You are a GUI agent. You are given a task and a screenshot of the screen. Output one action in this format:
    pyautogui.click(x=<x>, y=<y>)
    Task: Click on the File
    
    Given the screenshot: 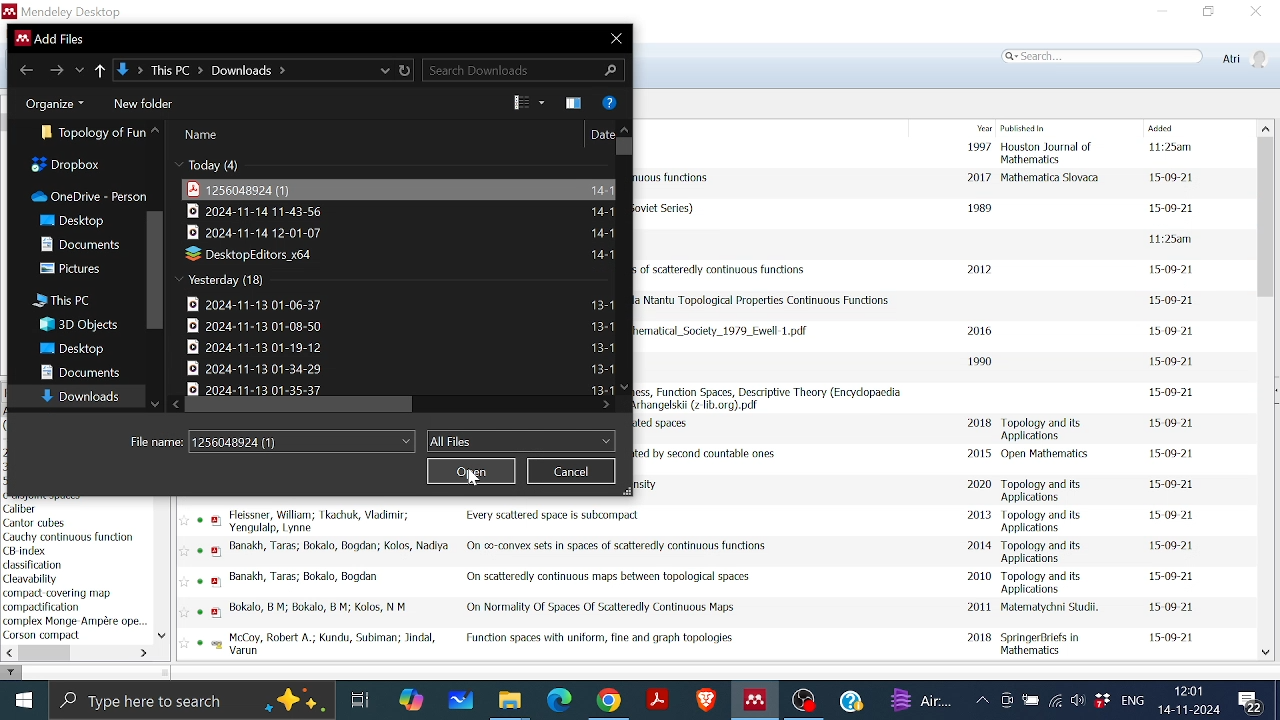 What is the action you would take?
    pyautogui.click(x=601, y=214)
    